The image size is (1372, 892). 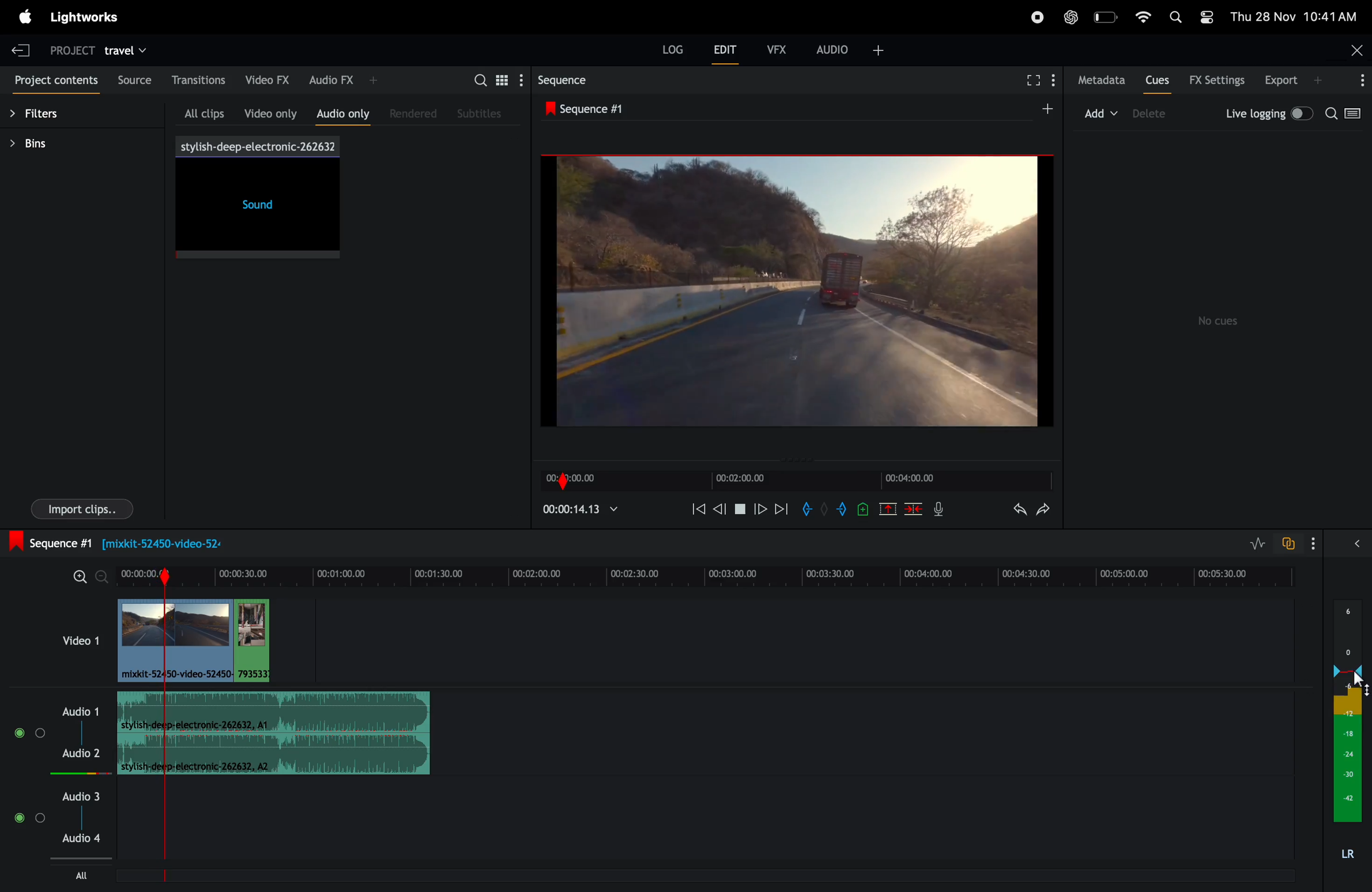 What do you see at coordinates (267, 79) in the screenshot?
I see `video fx` at bounding box center [267, 79].